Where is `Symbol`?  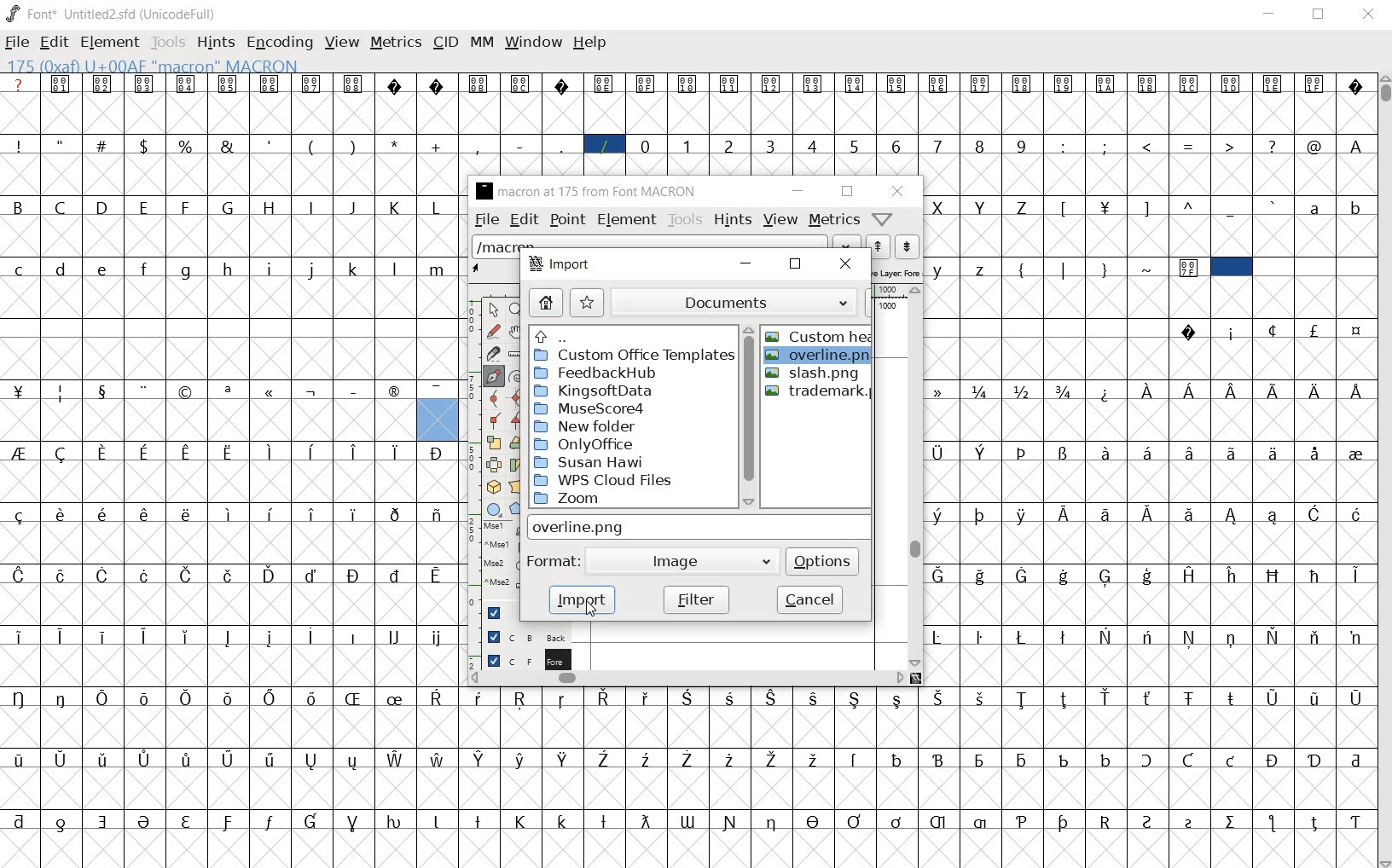
Symbol is located at coordinates (1275, 637).